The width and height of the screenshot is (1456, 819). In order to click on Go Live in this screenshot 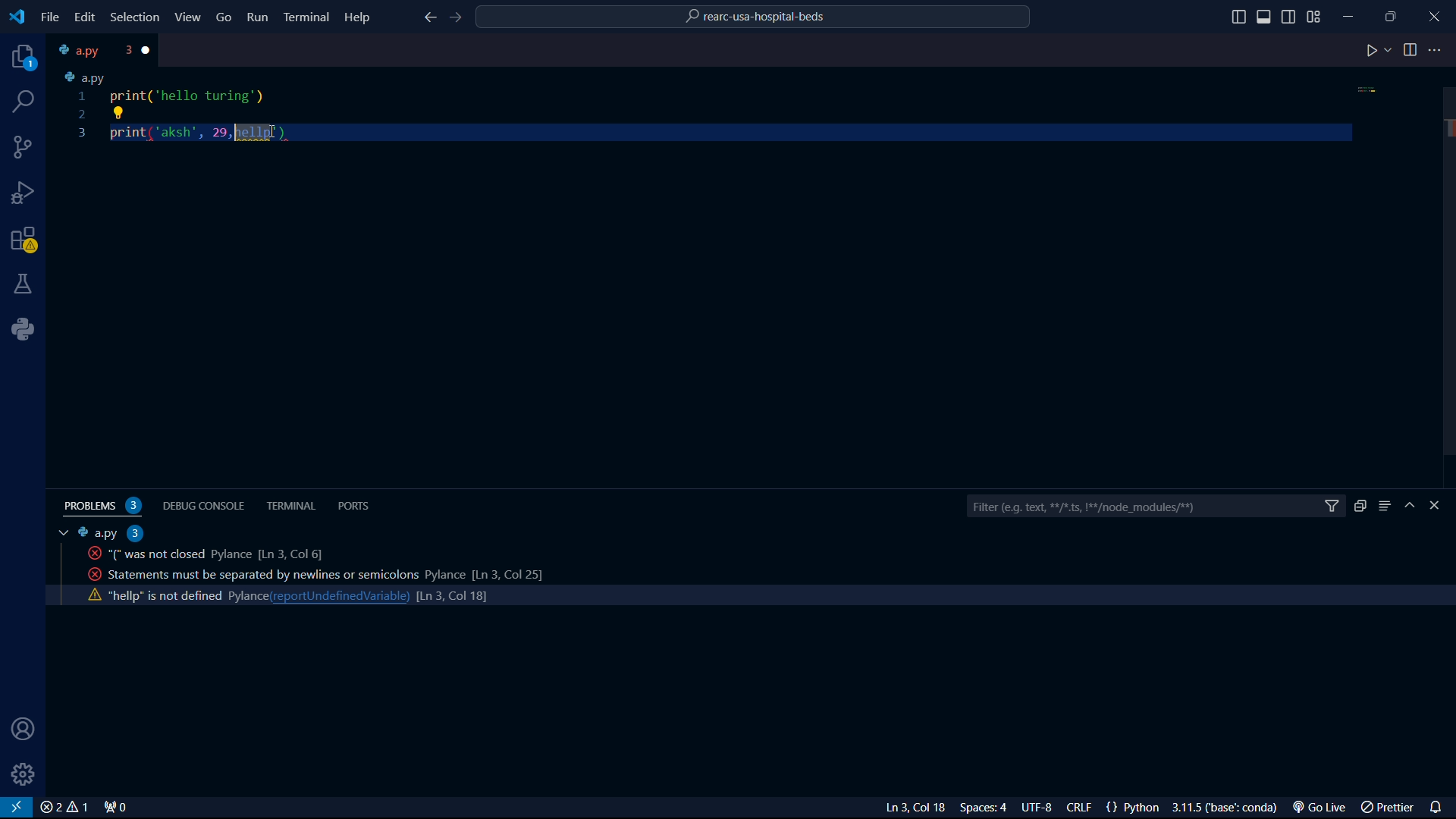, I will do `click(1323, 808)`.